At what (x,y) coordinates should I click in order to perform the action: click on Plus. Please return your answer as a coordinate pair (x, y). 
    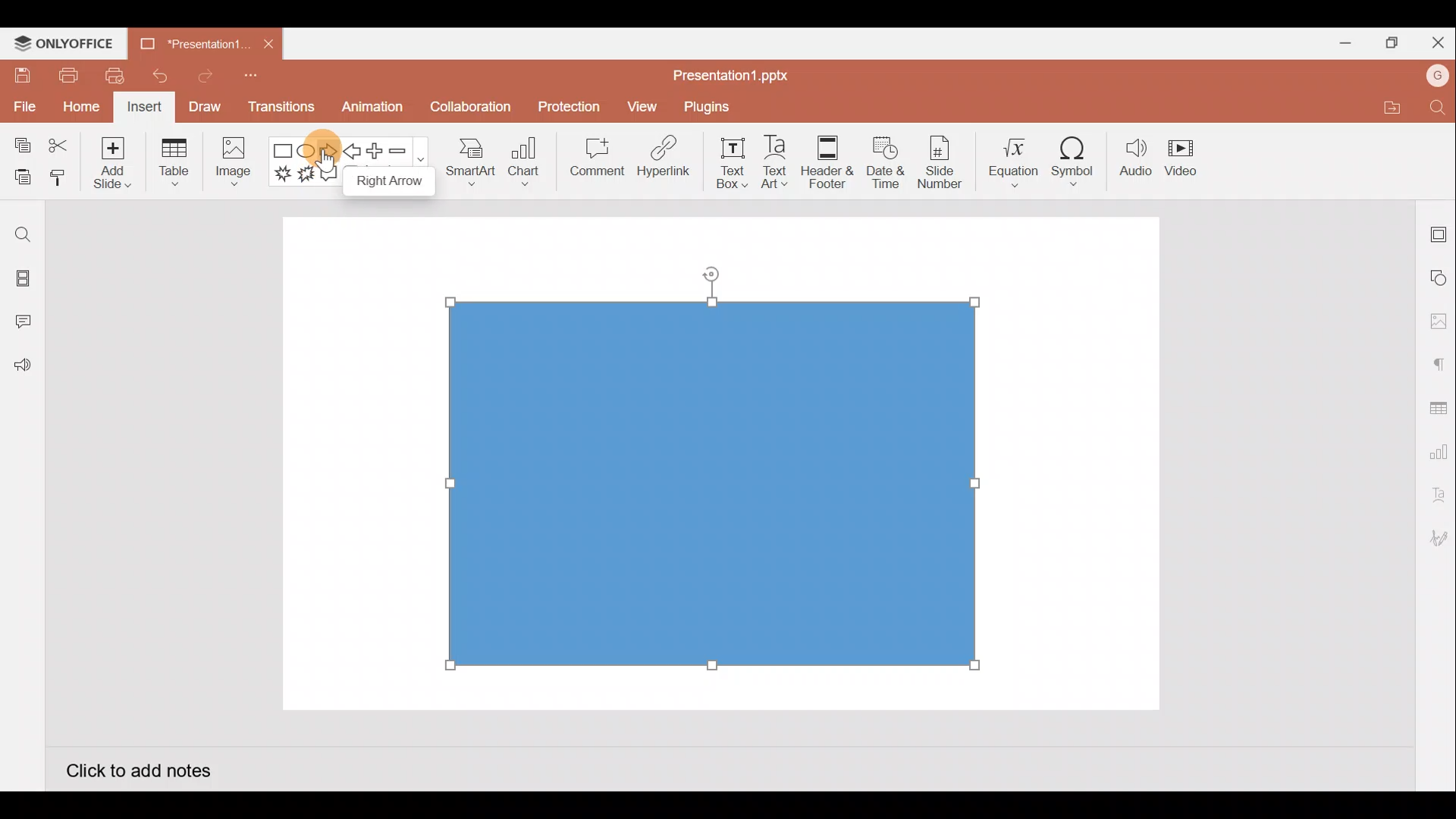
    Looking at the image, I should click on (378, 151).